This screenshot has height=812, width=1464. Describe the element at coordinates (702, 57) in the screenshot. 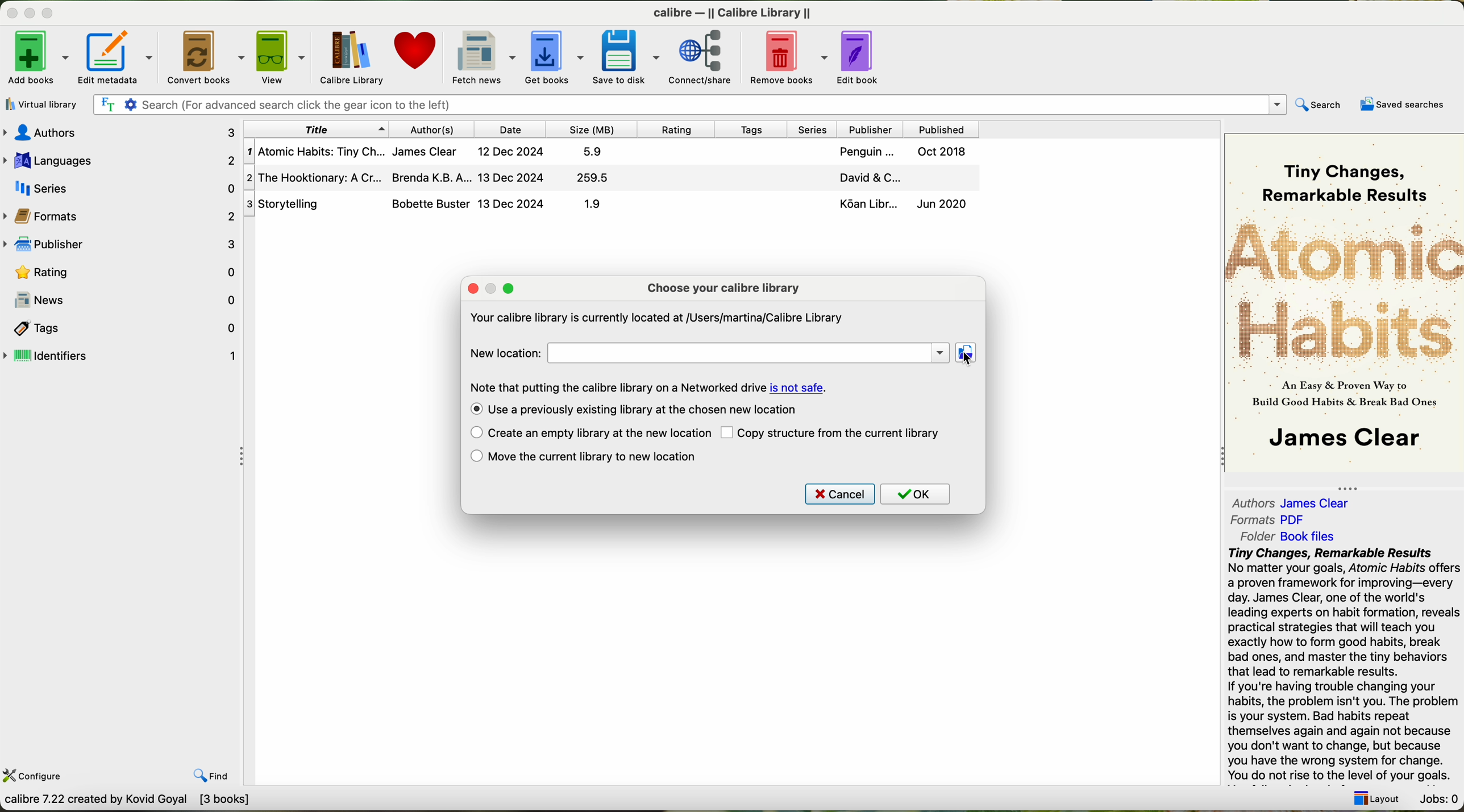

I see `connect/share` at that location.